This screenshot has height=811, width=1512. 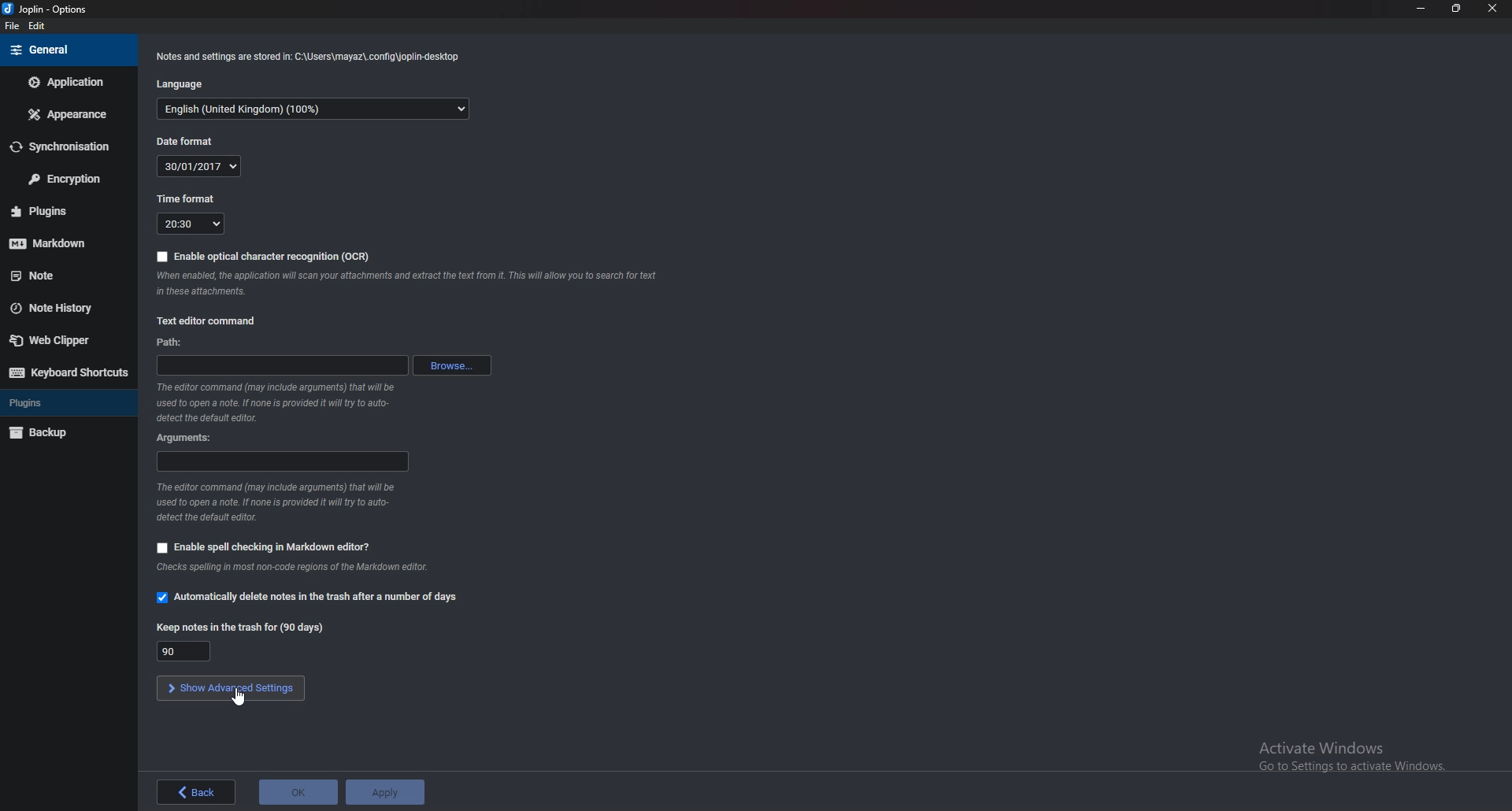 I want to click on English, so click(x=311, y=110).